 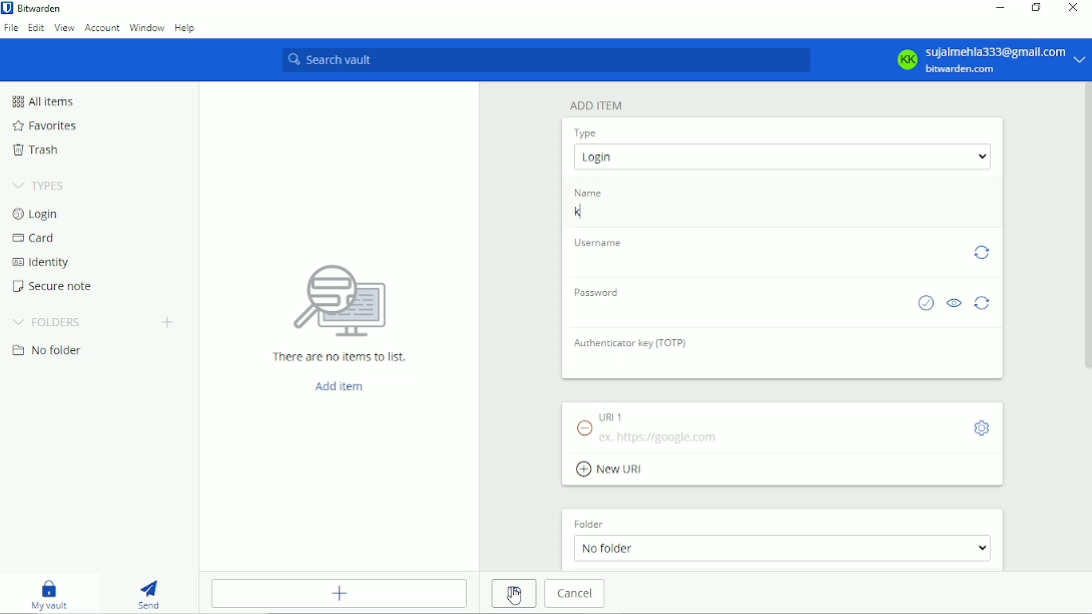 What do you see at coordinates (339, 386) in the screenshot?
I see `Add item` at bounding box center [339, 386].